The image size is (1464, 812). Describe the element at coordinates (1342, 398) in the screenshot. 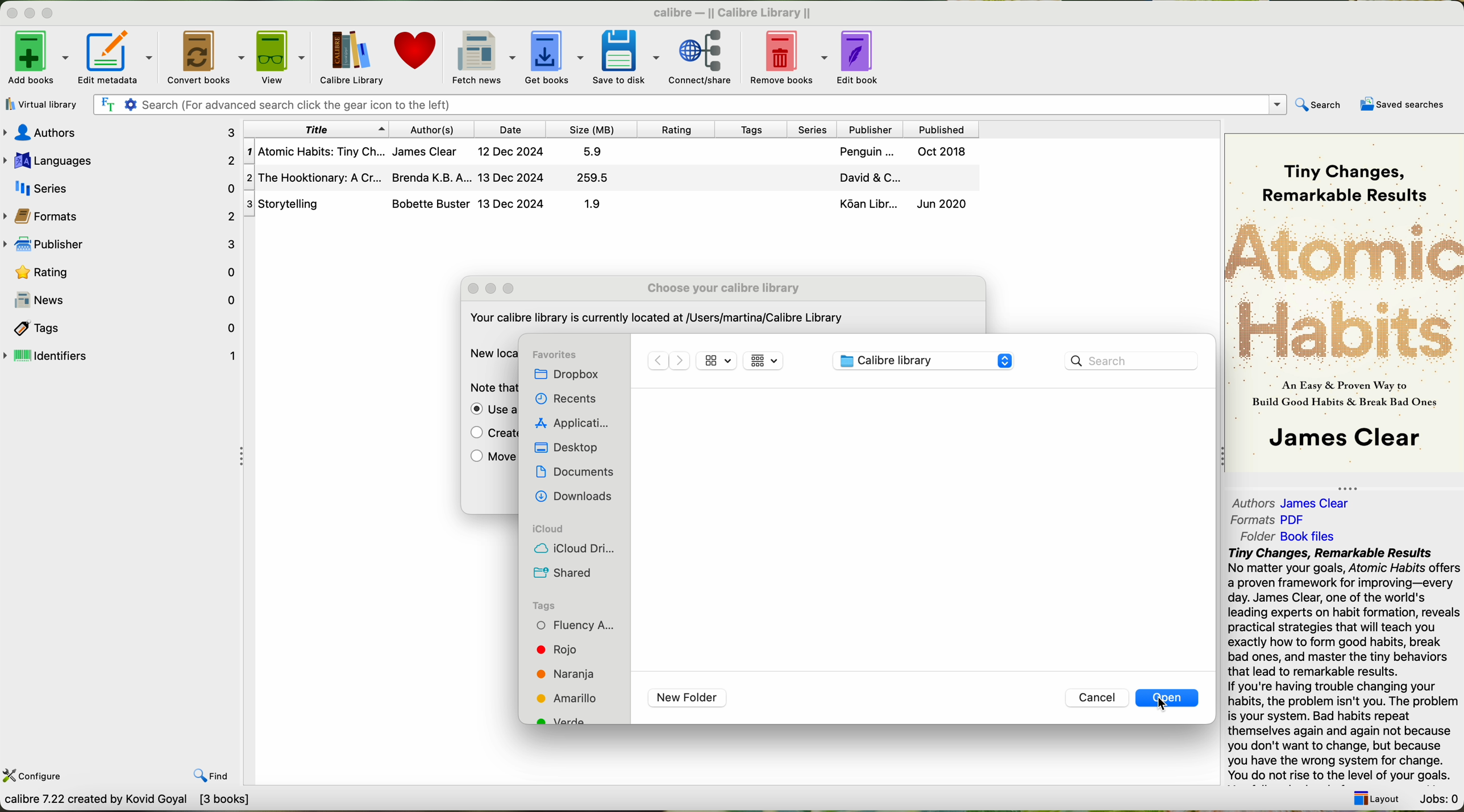

I see `An easy proven way to build Good Habits & Break Bad Ones` at that location.